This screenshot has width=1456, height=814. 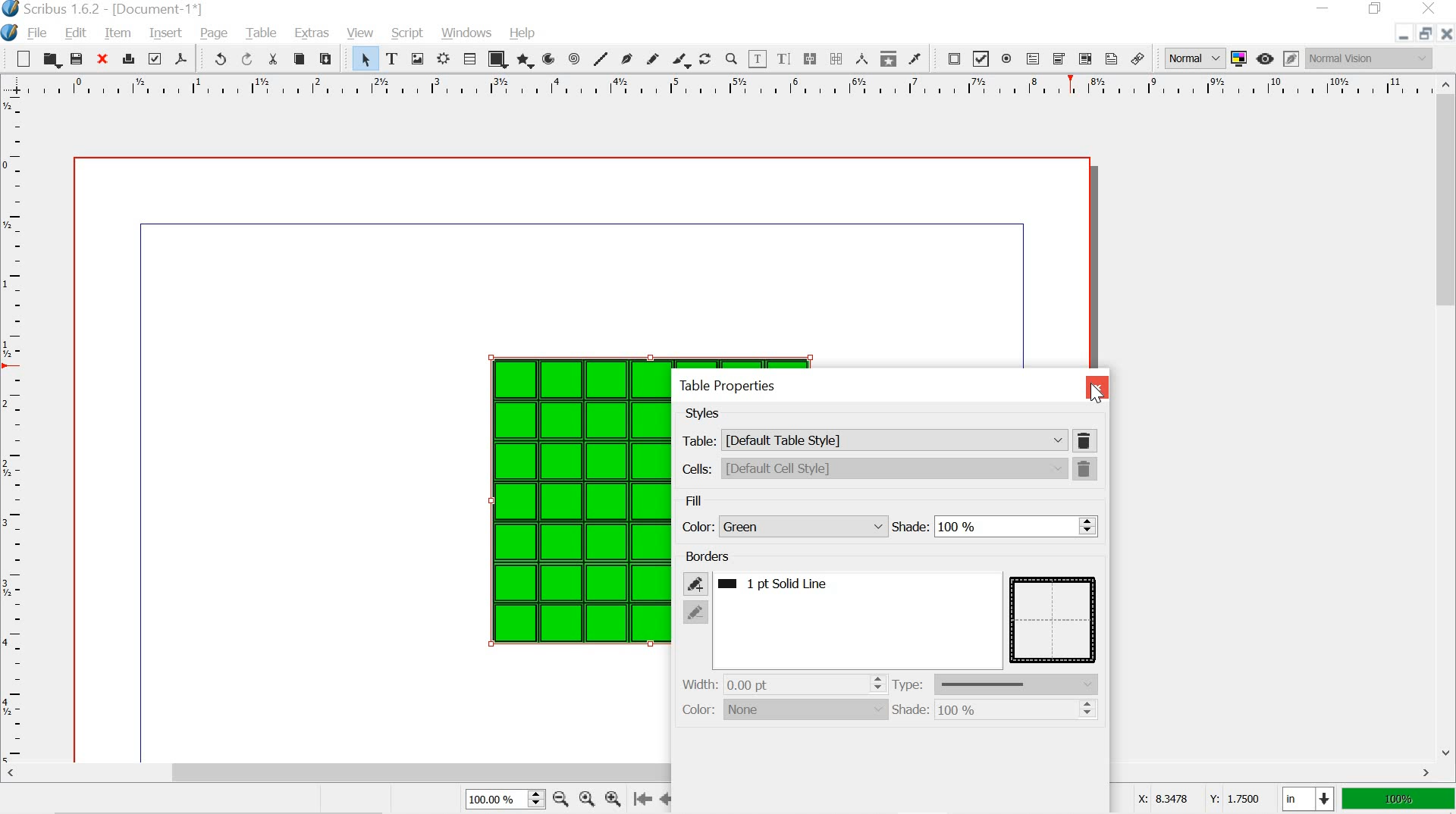 What do you see at coordinates (695, 499) in the screenshot?
I see `fill` at bounding box center [695, 499].